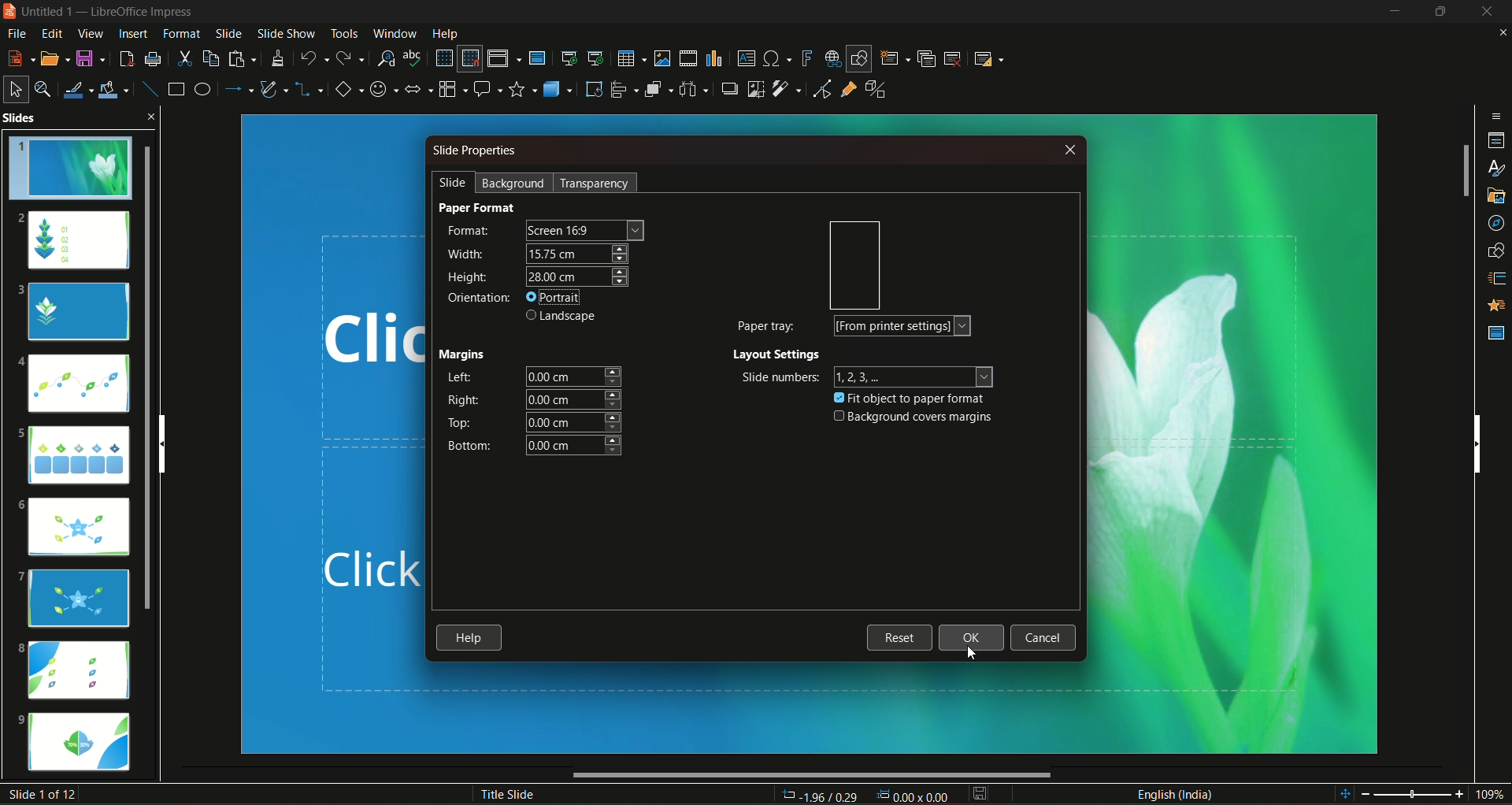 This screenshot has width=1512, height=805. What do you see at coordinates (76, 386) in the screenshot?
I see `slide 4` at bounding box center [76, 386].